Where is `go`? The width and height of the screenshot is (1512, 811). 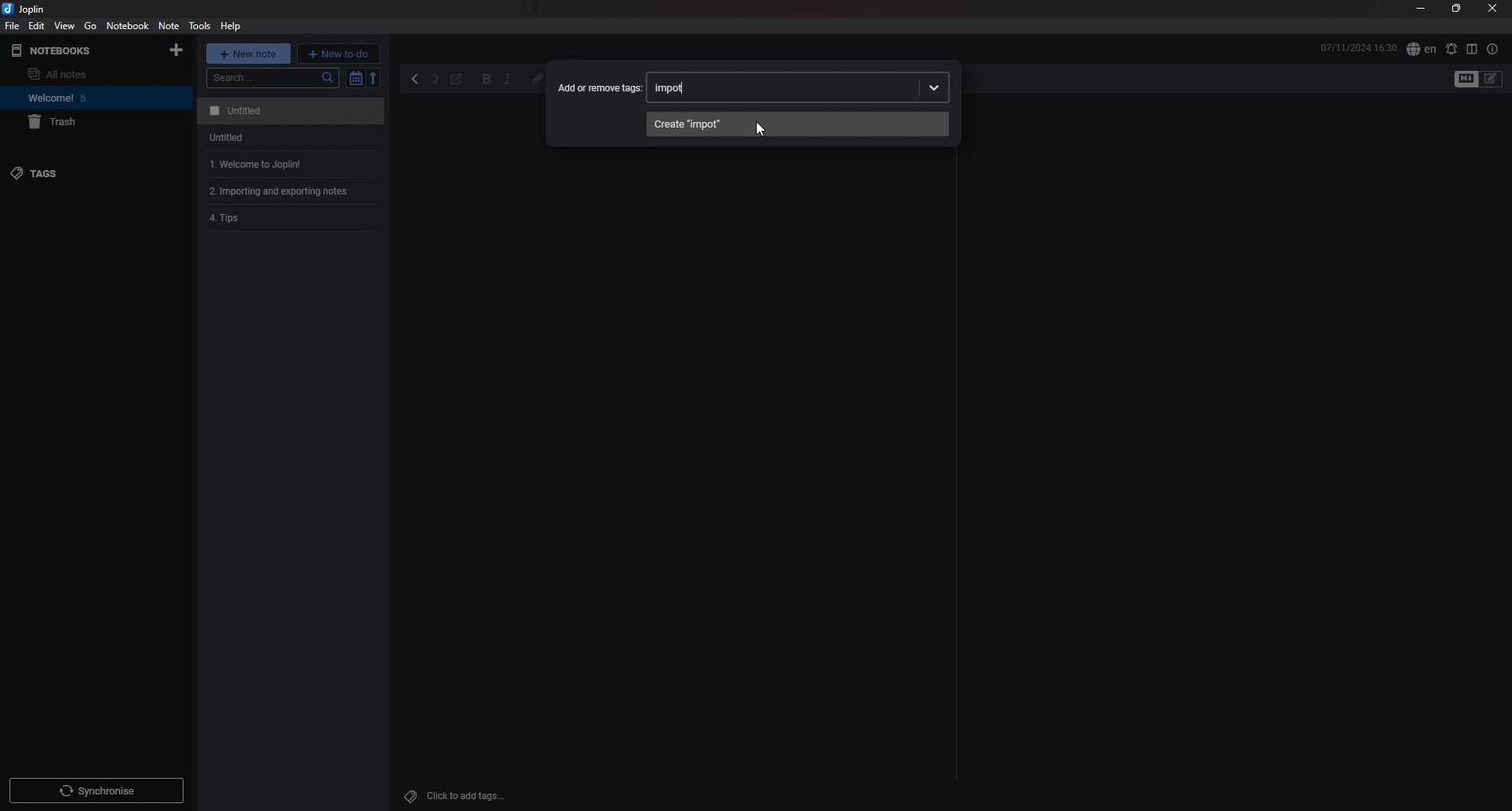
go is located at coordinates (91, 25).